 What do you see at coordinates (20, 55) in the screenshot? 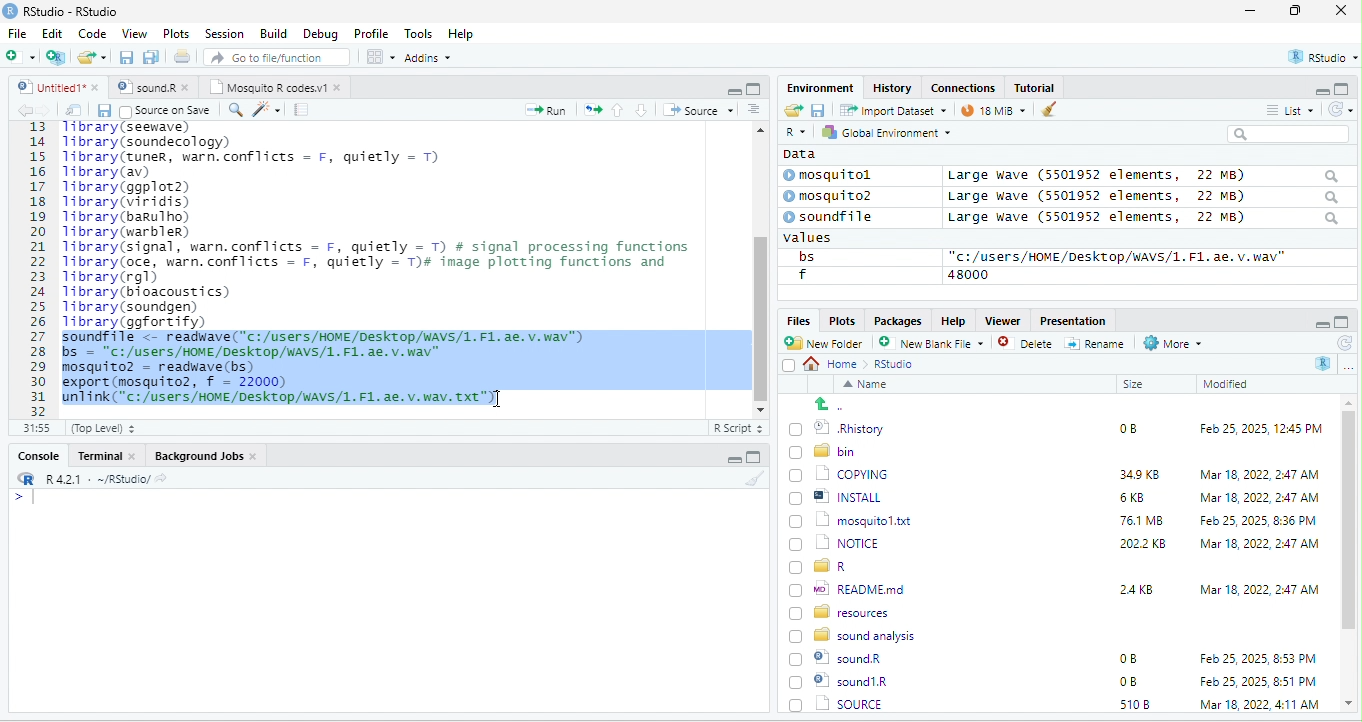
I see `new` at bounding box center [20, 55].